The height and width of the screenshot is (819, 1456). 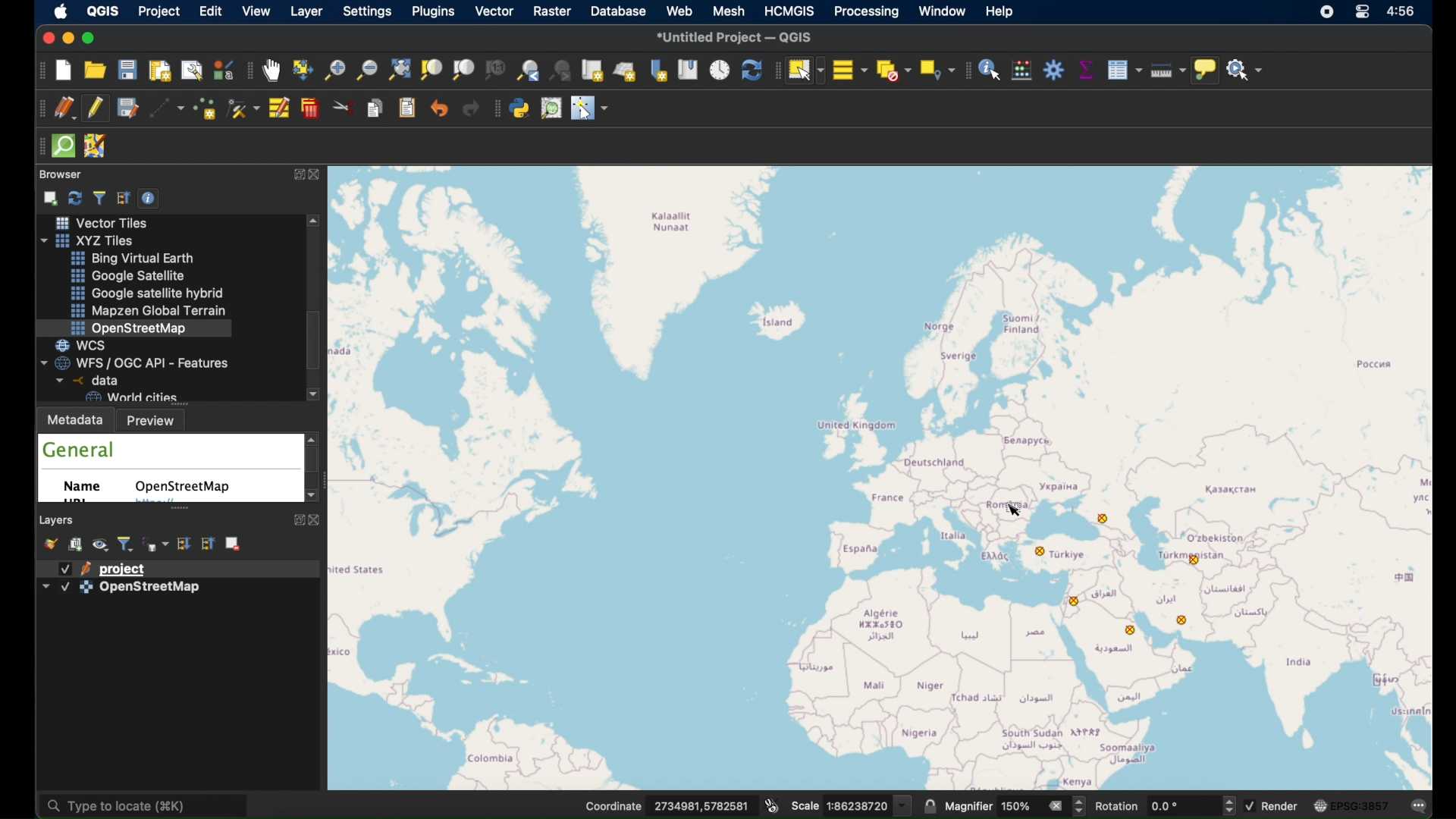 What do you see at coordinates (38, 72) in the screenshot?
I see `project toolbar` at bounding box center [38, 72].